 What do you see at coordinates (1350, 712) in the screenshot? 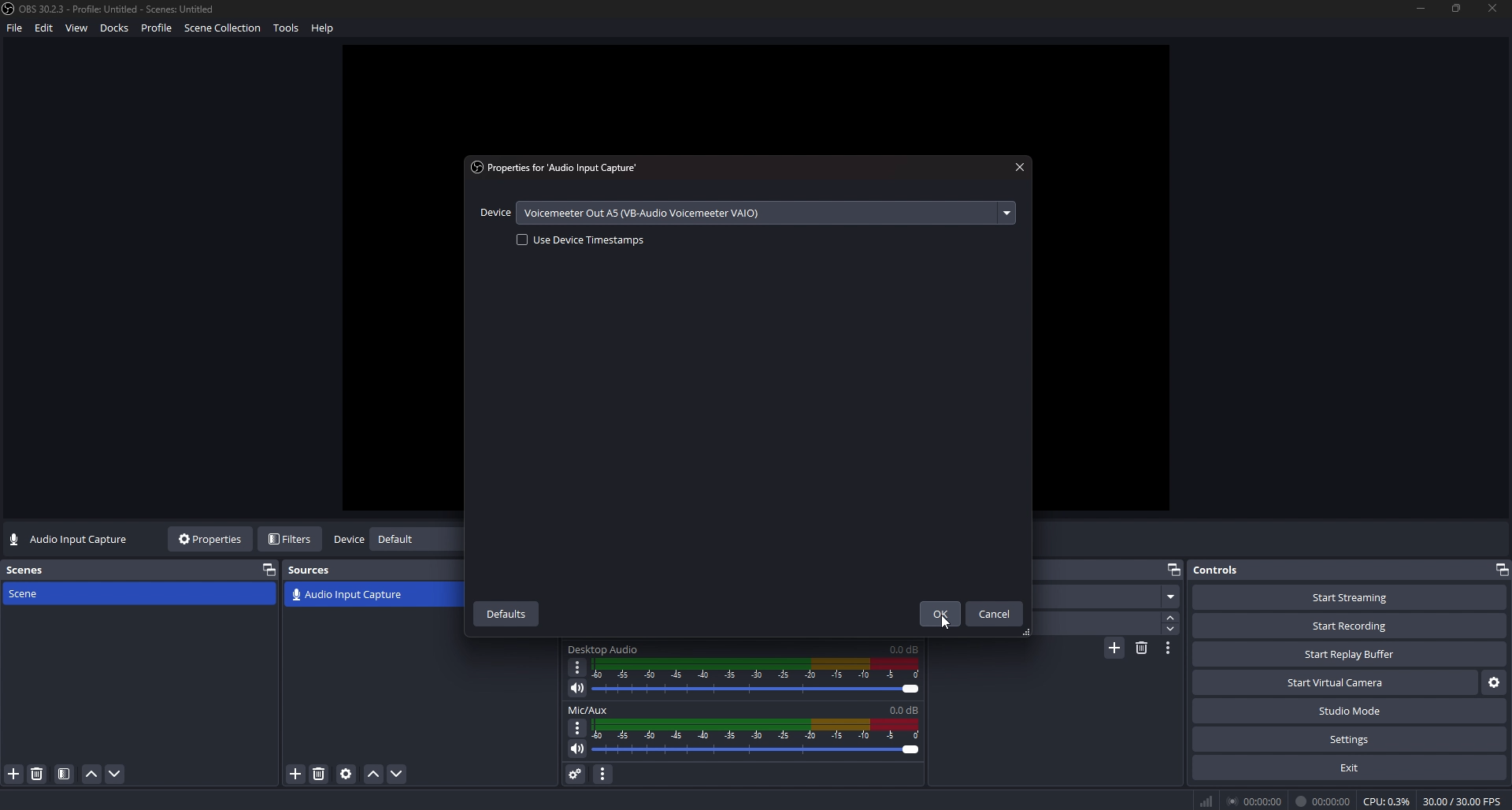
I see `studio mode` at bounding box center [1350, 712].